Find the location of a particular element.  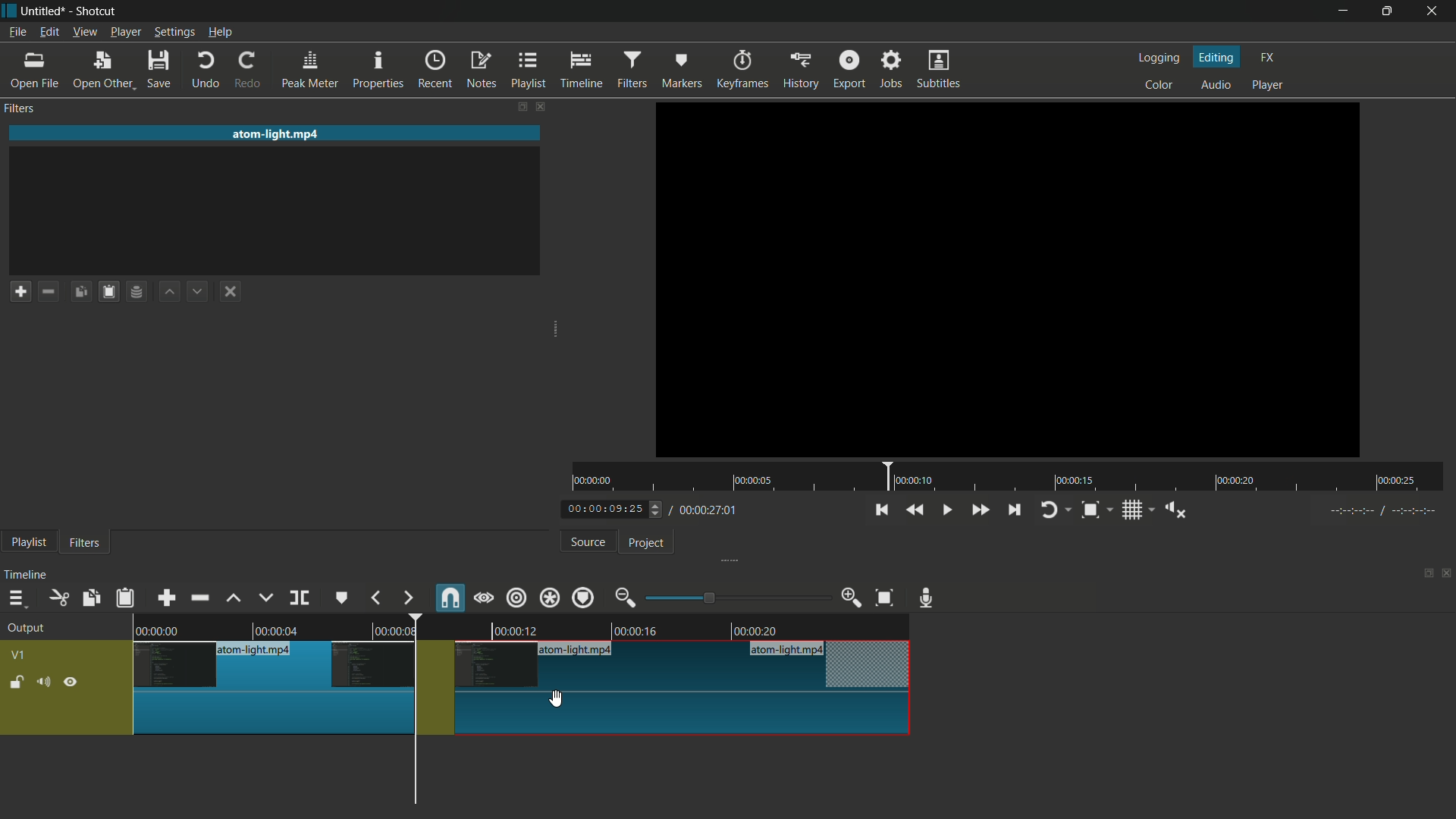

subtitles is located at coordinates (941, 71).